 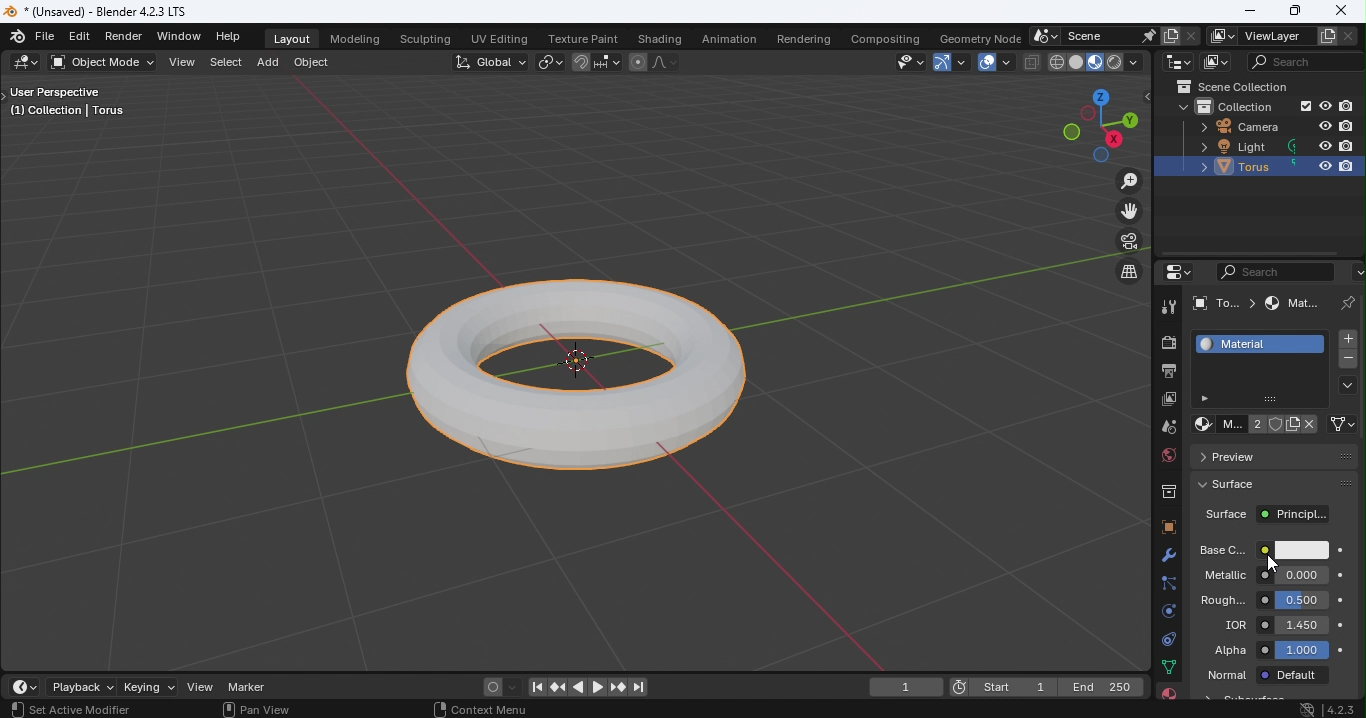 What do you see at coordinates (1261, 343) in the screenshot?
I see `Material` at bounding box center [1261, 343].